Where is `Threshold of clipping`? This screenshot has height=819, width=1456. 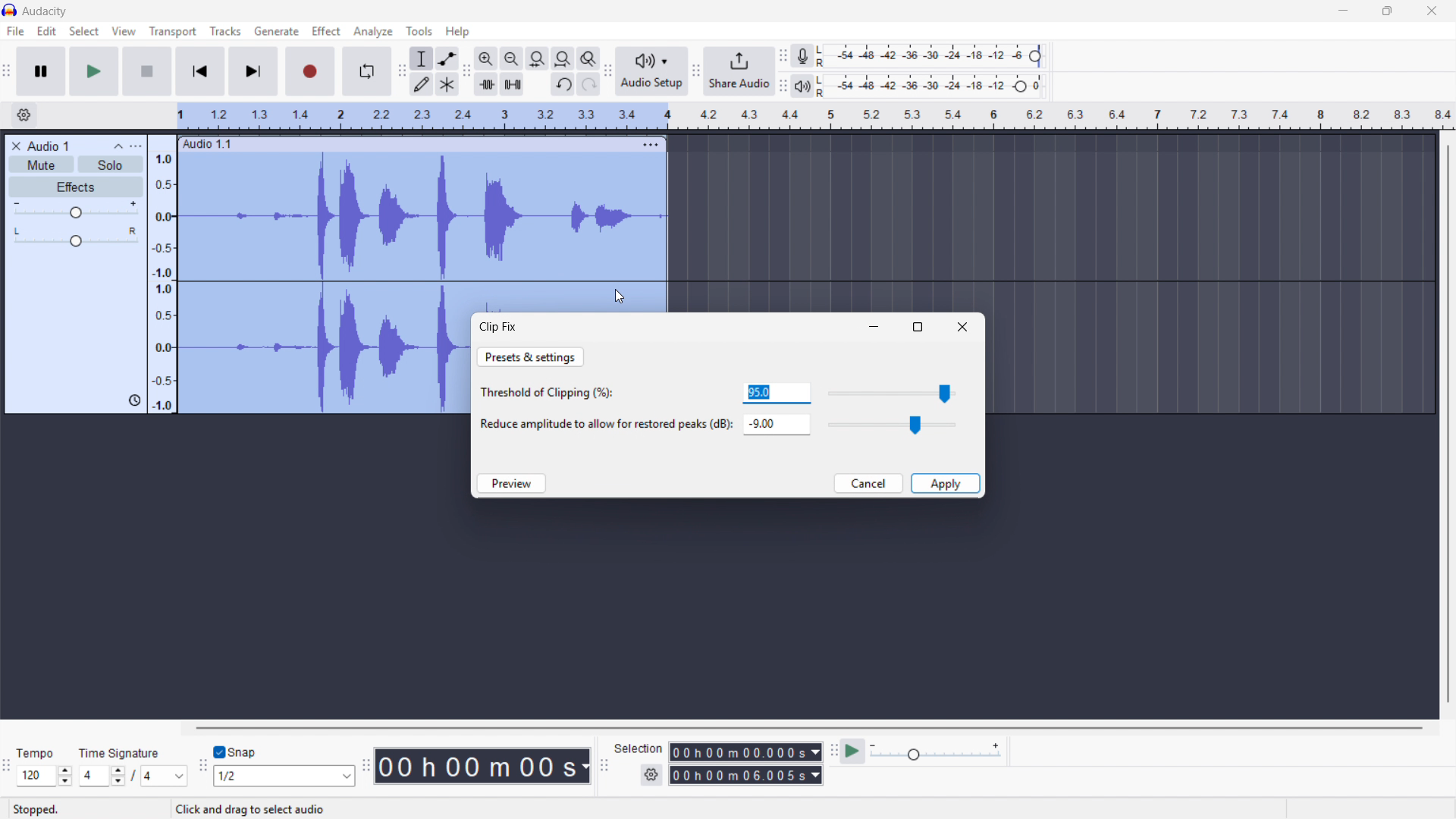 Threshold of clipping is located at coordinates (777, 393).